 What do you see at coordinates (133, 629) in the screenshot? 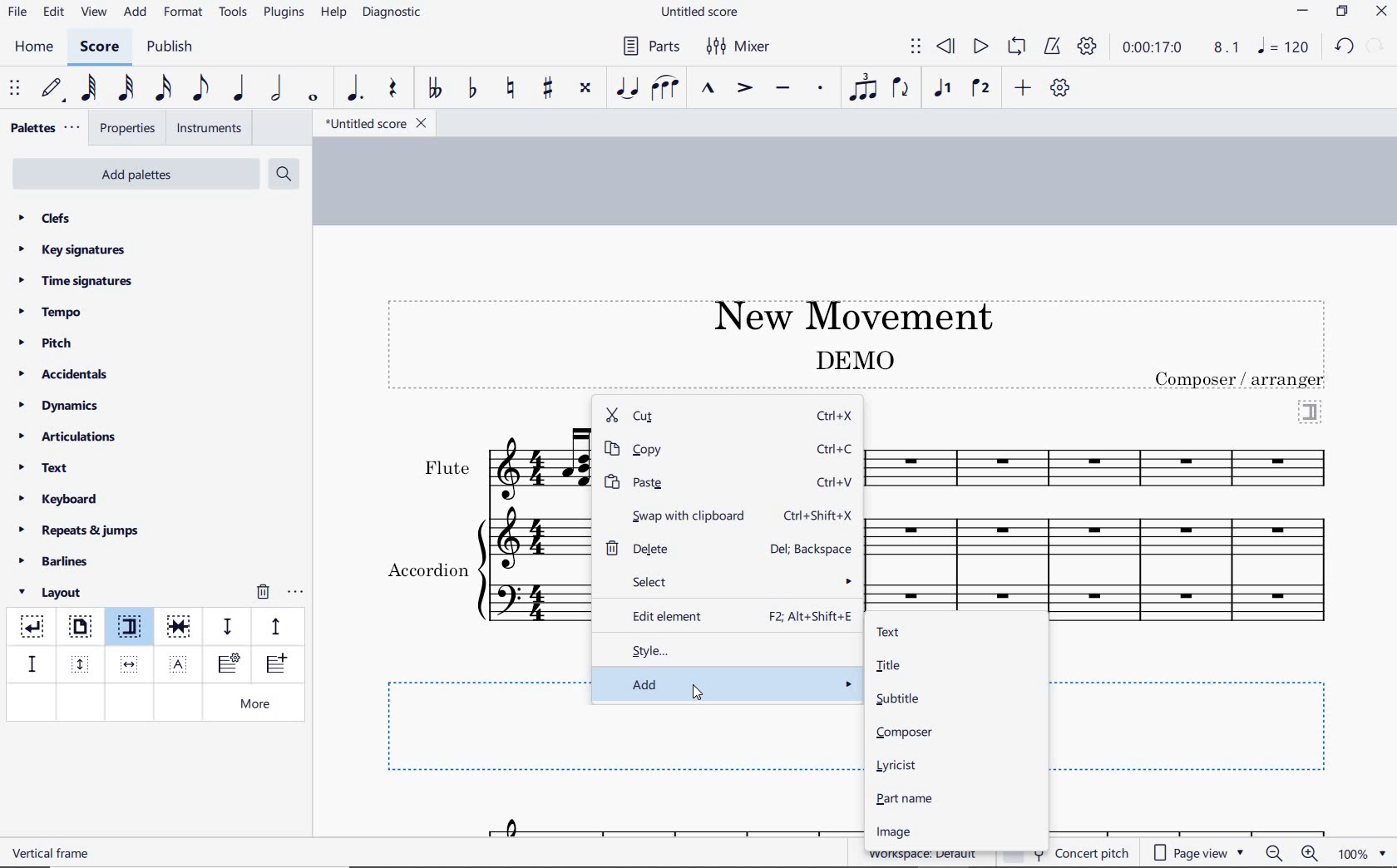
I see `section break` at bounding box center [133, 629].